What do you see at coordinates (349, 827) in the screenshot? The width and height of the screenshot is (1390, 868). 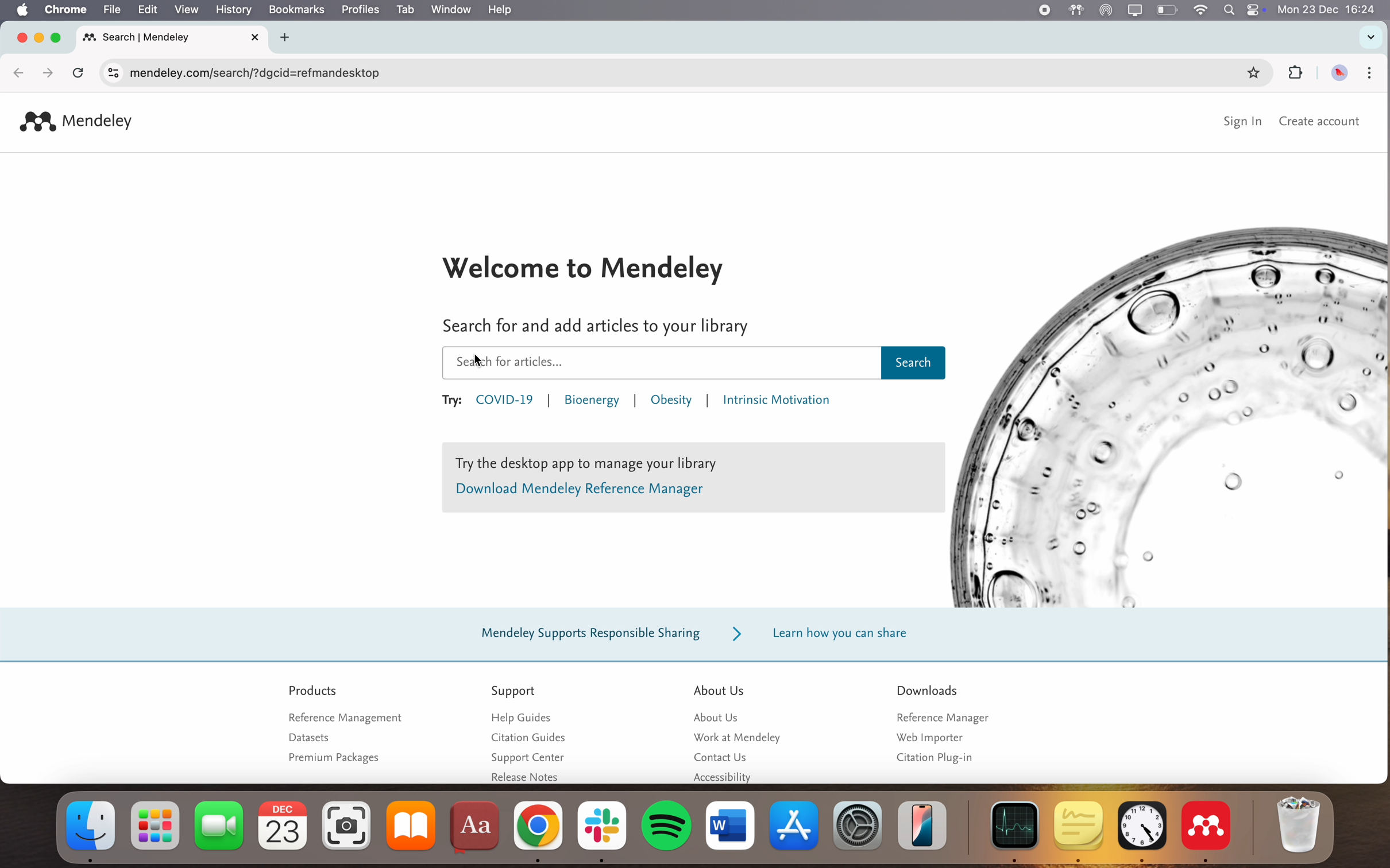 I see `screenshot` at bounding box center [349, 827].